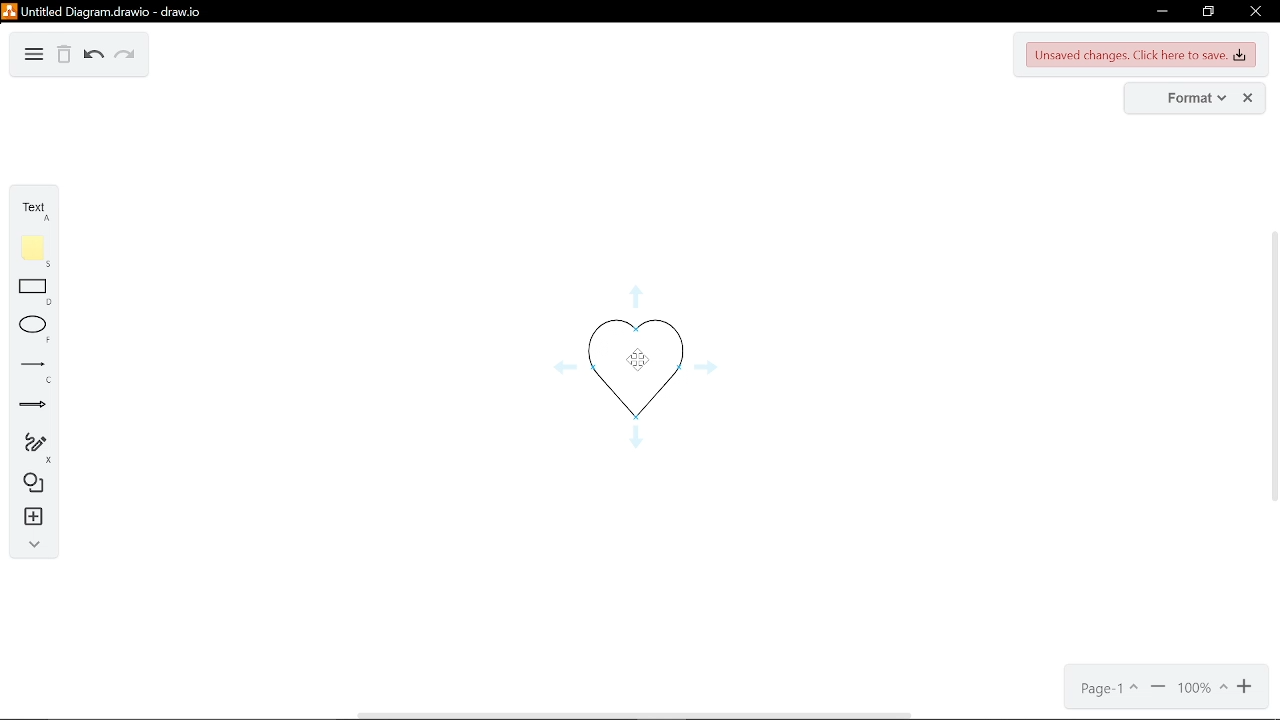  I want to click on redo, so click(123, 56).